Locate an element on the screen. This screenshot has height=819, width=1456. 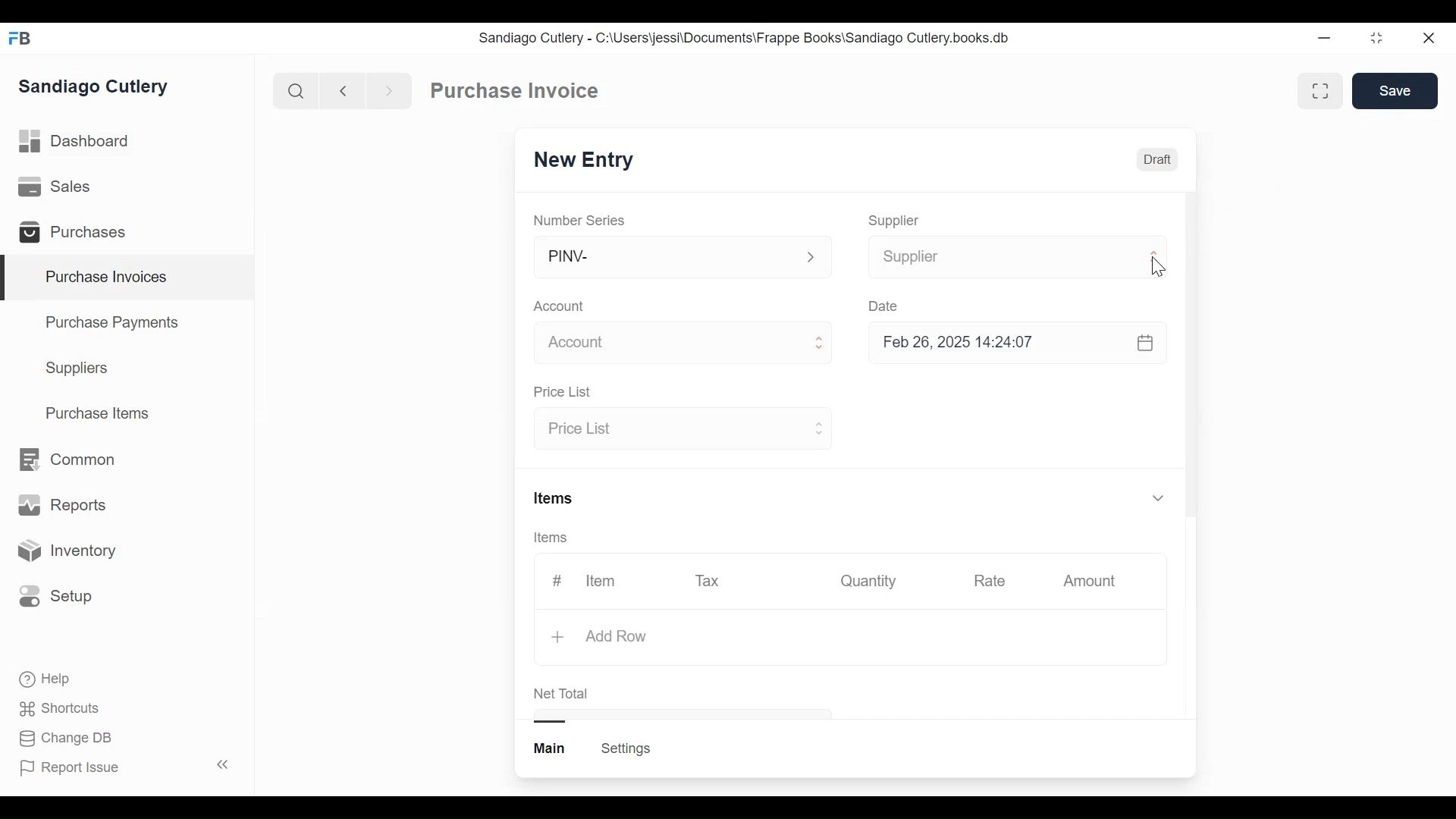
Minimize is located at coordinates (1321, 39).